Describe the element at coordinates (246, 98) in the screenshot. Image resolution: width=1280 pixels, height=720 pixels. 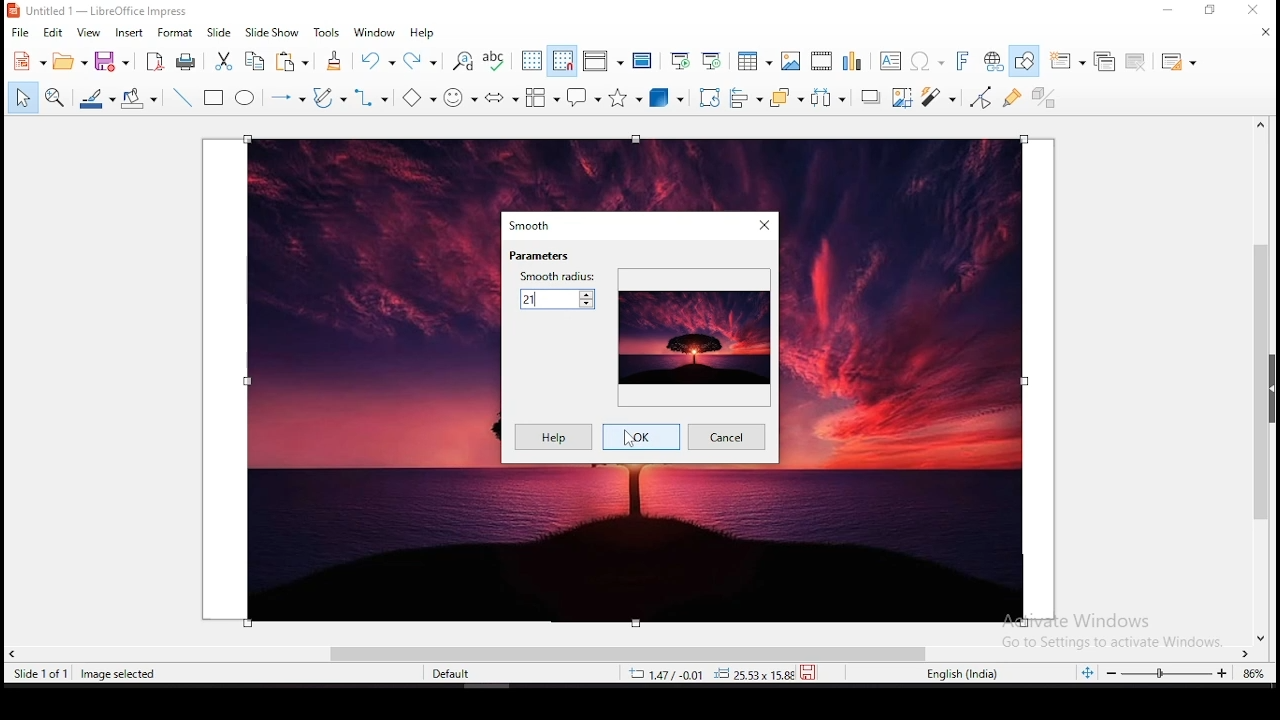
I see `ellipse` at that location.